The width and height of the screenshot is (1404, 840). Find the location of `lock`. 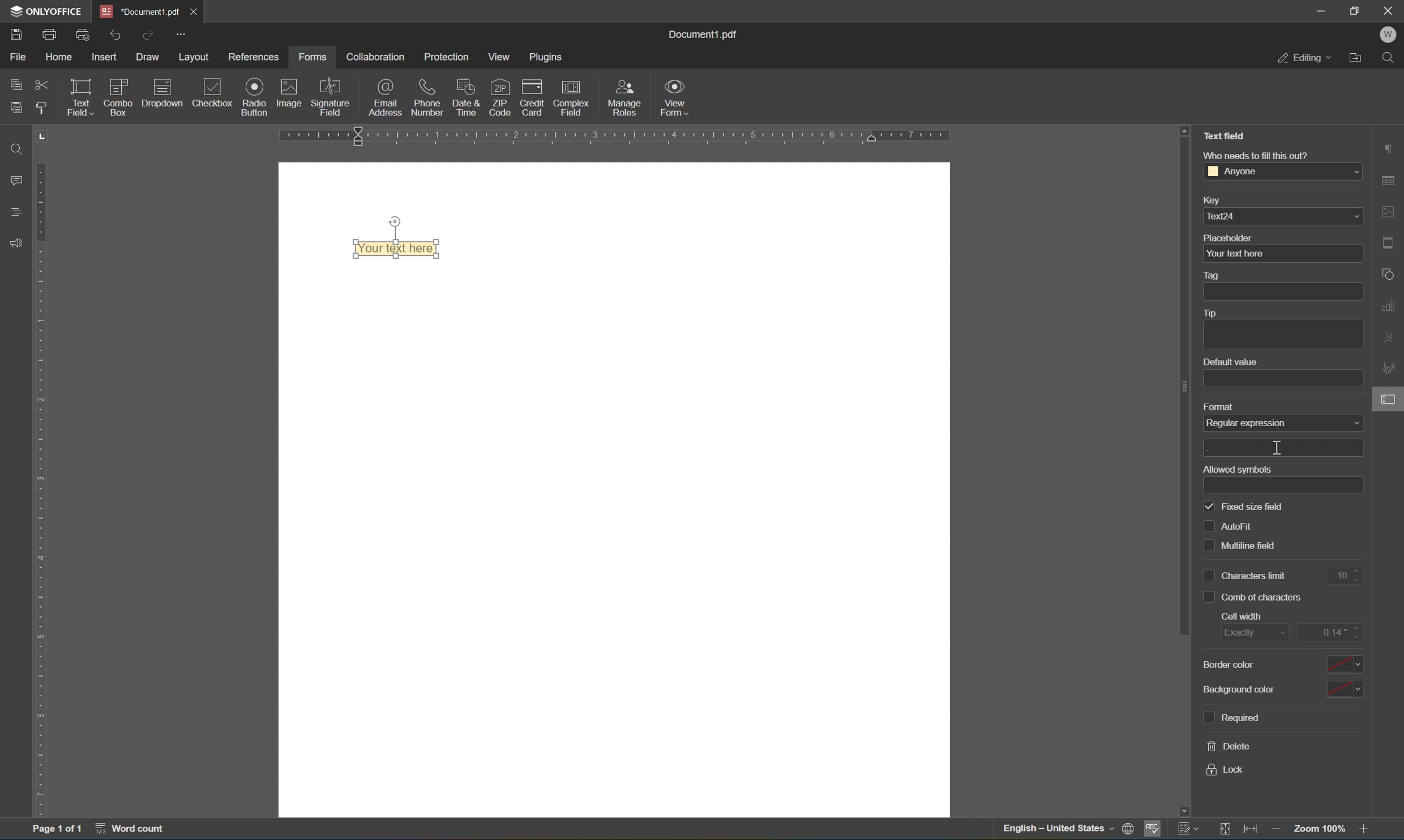

lock is located at coordinates (1225, 770).